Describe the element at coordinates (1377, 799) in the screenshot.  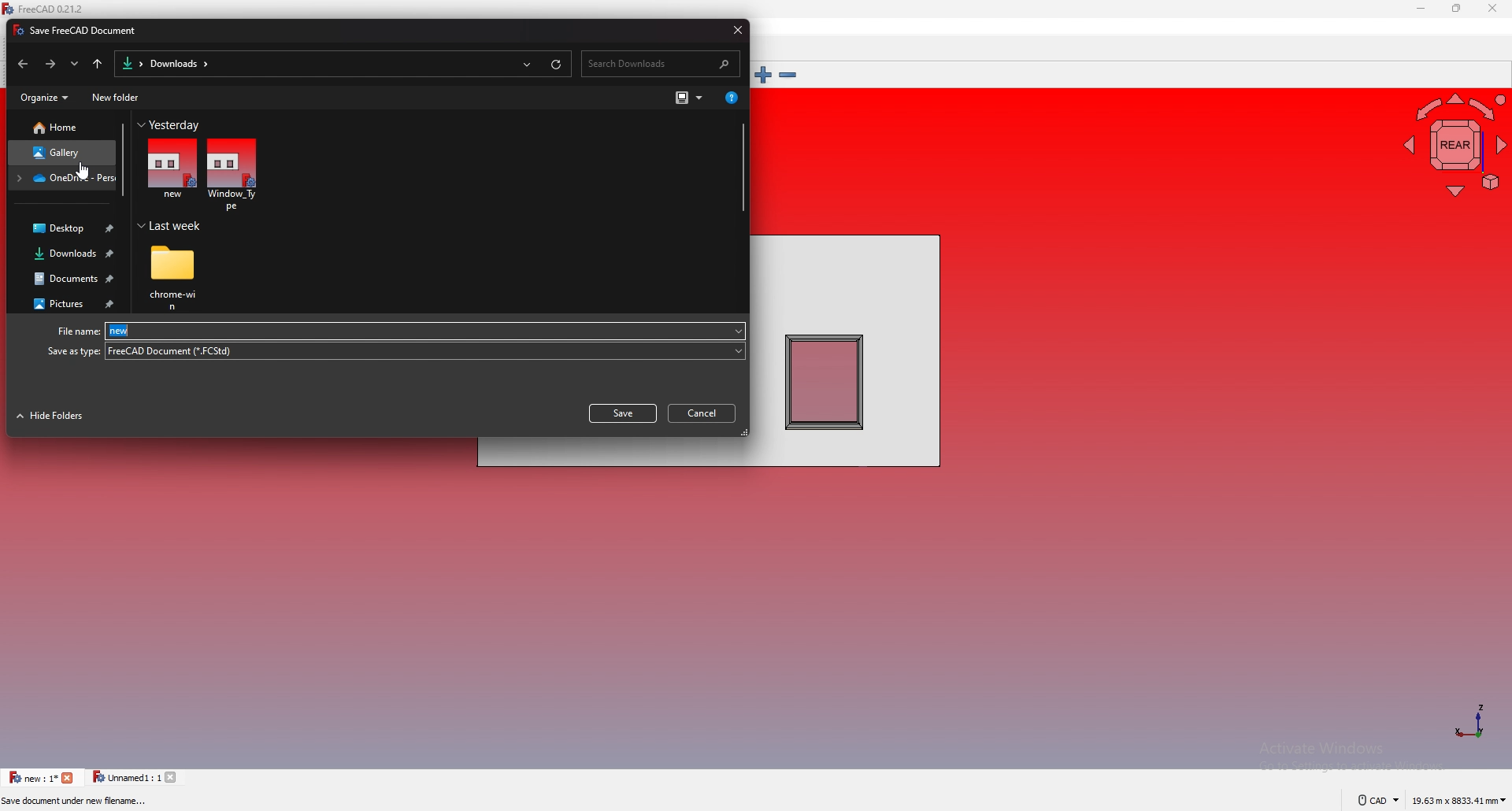
I see `cad navigation` at that location.